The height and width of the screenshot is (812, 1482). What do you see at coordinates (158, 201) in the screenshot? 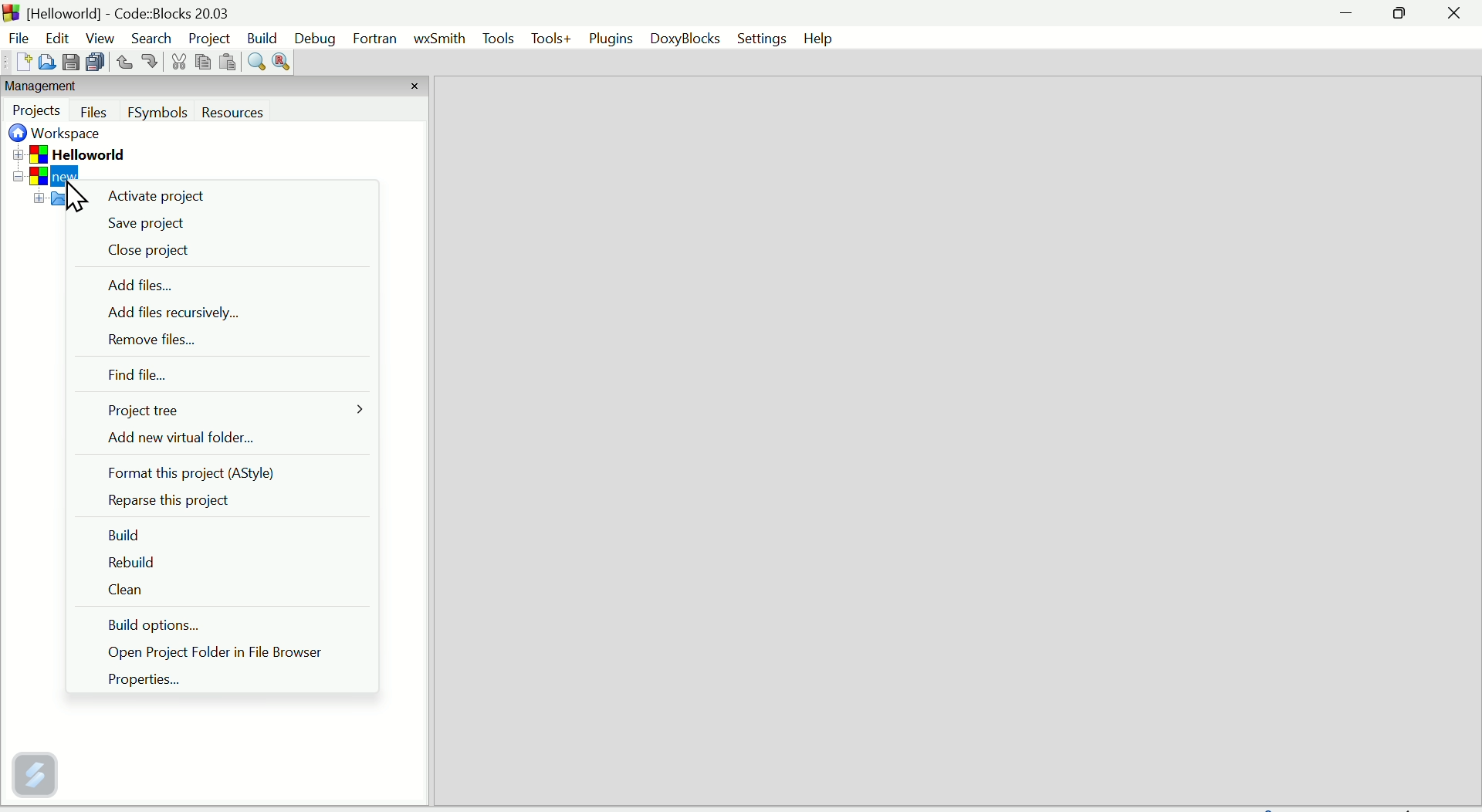
I see `Active project` at bounding box center [158, 201].